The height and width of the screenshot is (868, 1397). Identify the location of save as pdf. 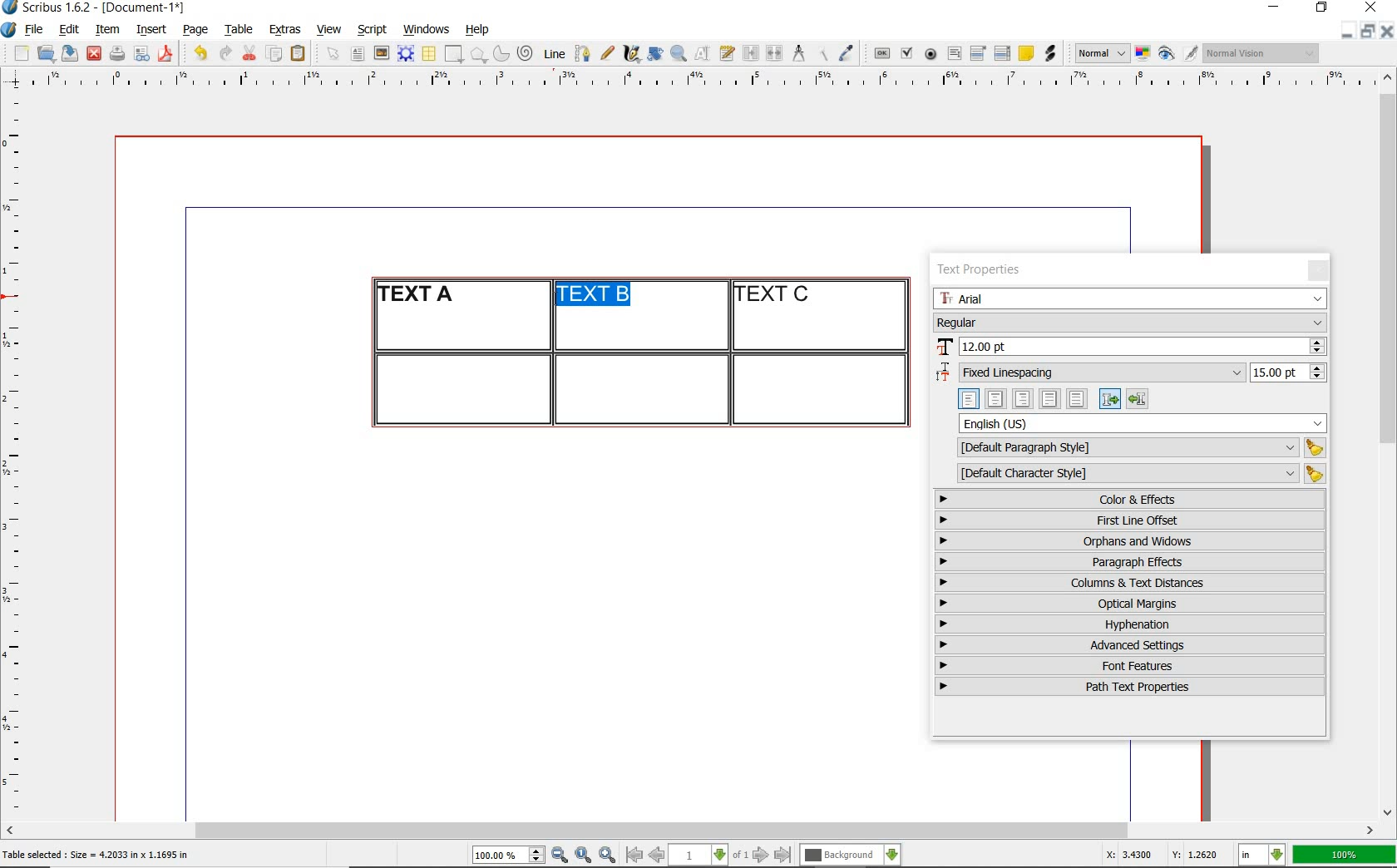
(168, 53).